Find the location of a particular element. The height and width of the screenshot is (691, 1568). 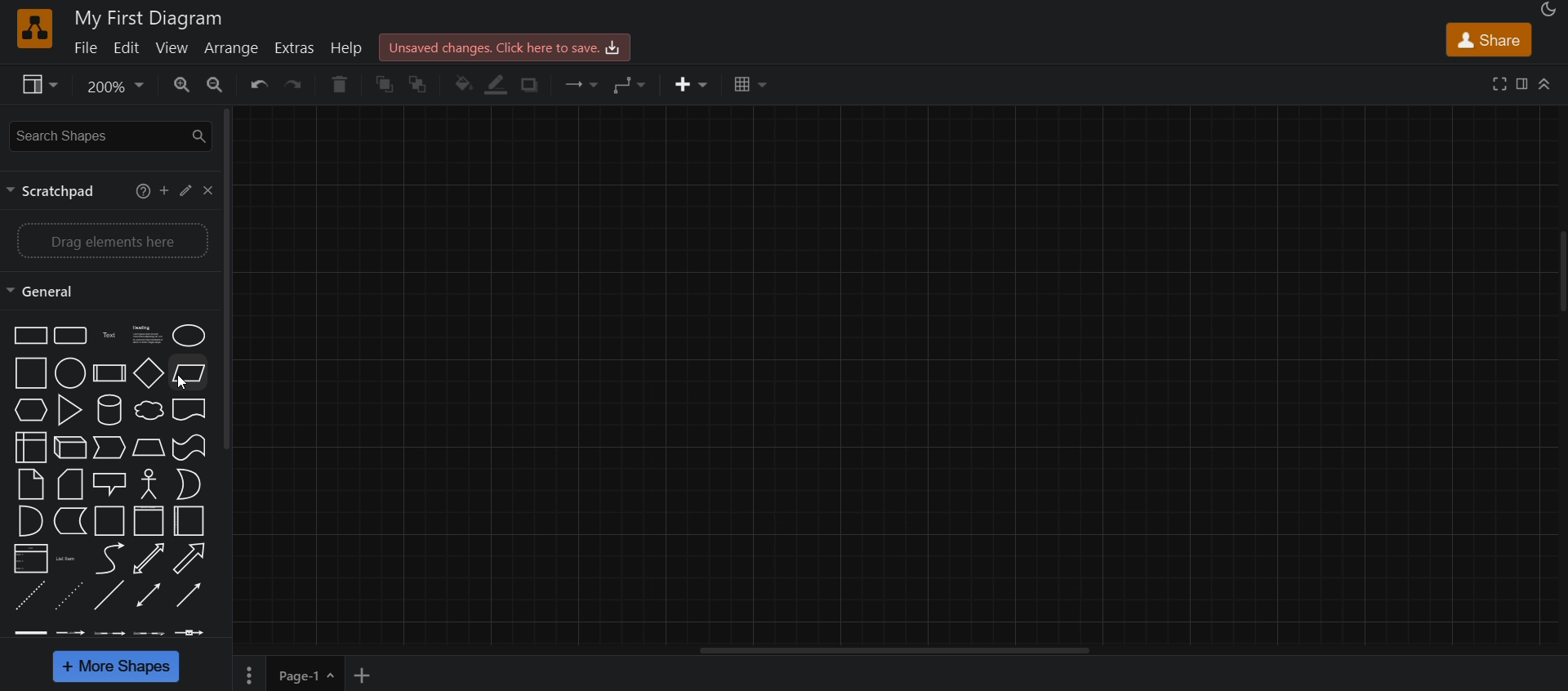

edit is located at coordinates (127, 47).